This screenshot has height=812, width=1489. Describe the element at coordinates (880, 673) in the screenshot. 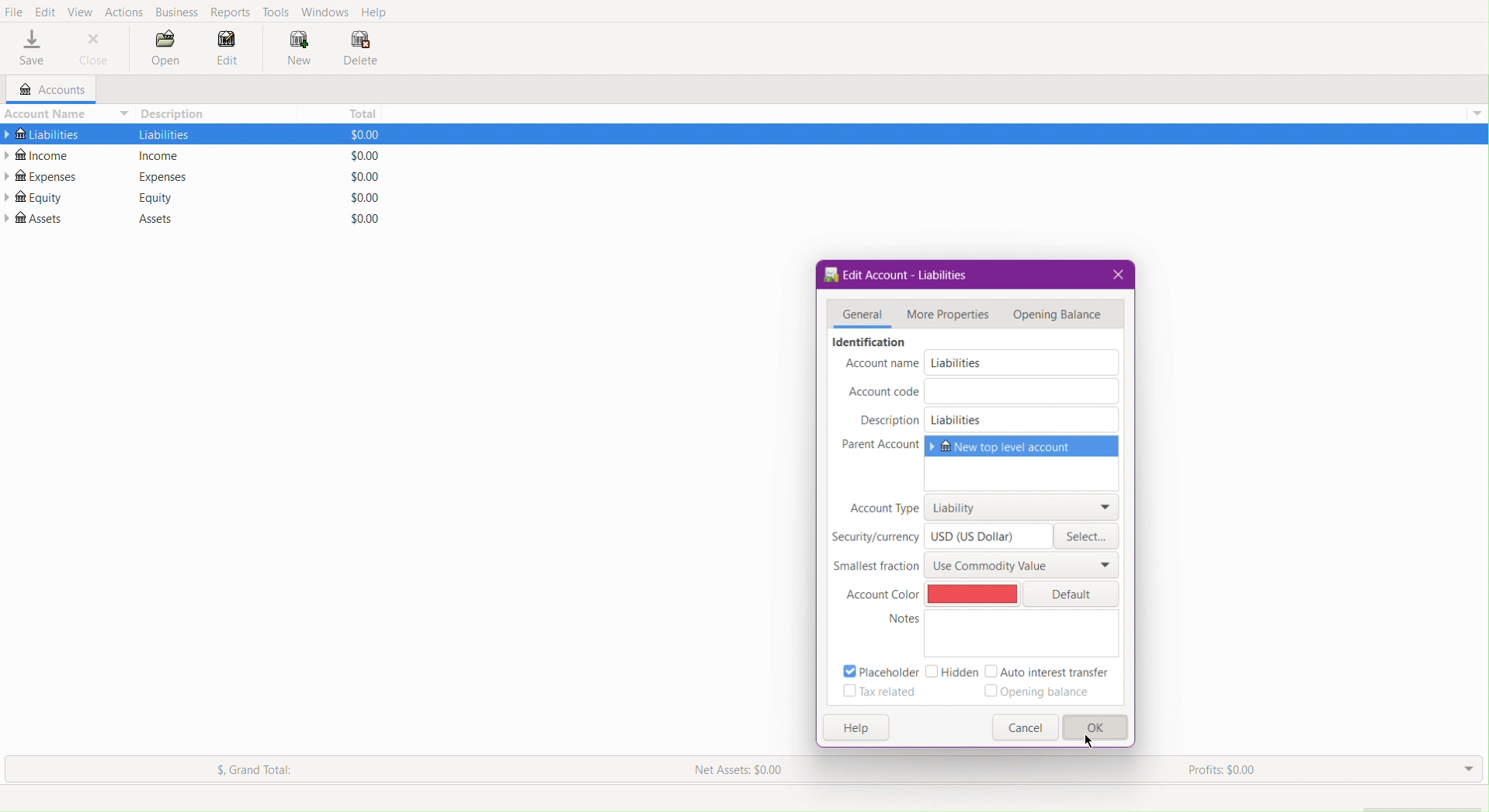

I see `Placeholder` at that location.